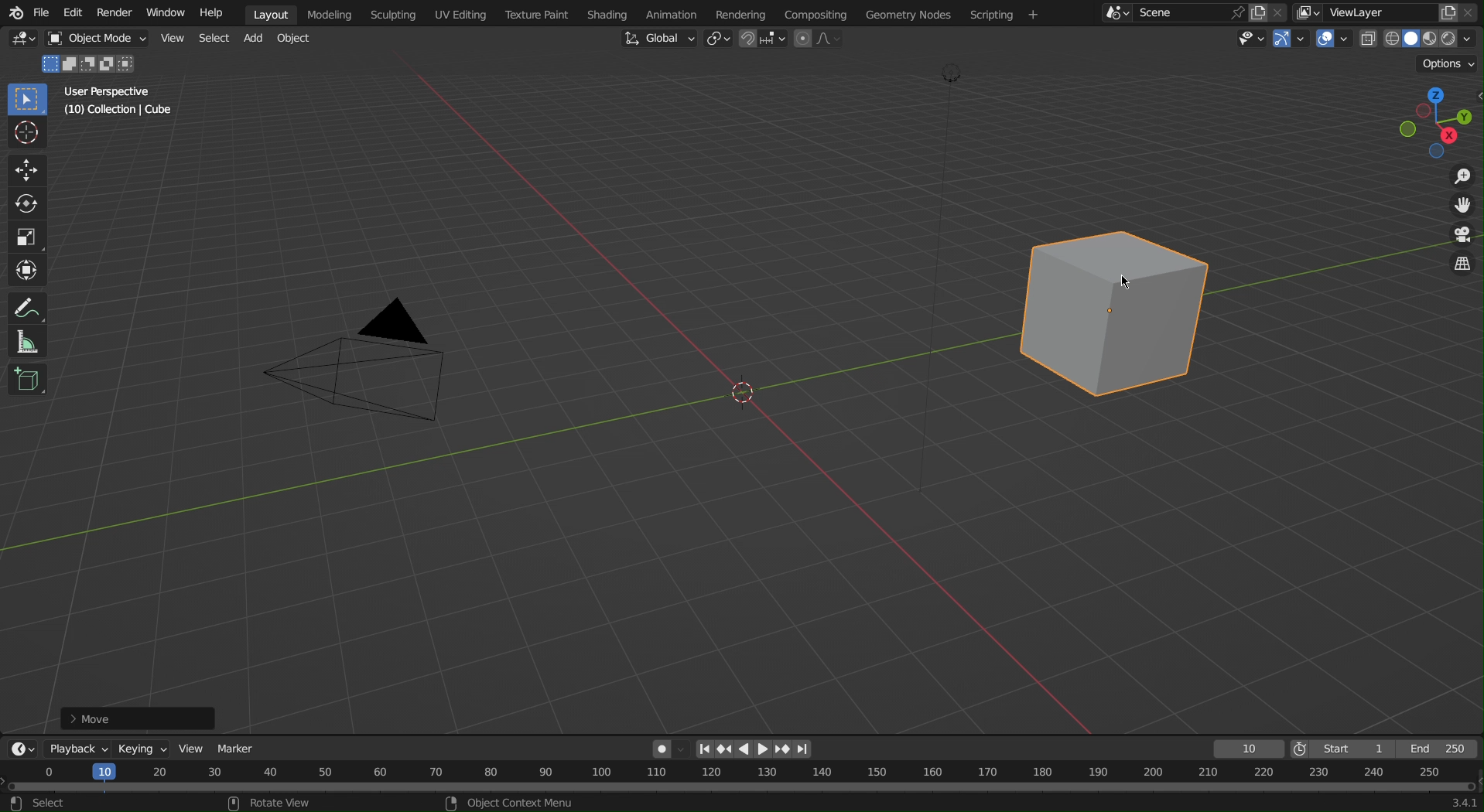 Image resolution: width=1484 pixels, height=812 pixels. Describe the element at coordinates (118, 12) in the screenshot. I see `Render` at that location.